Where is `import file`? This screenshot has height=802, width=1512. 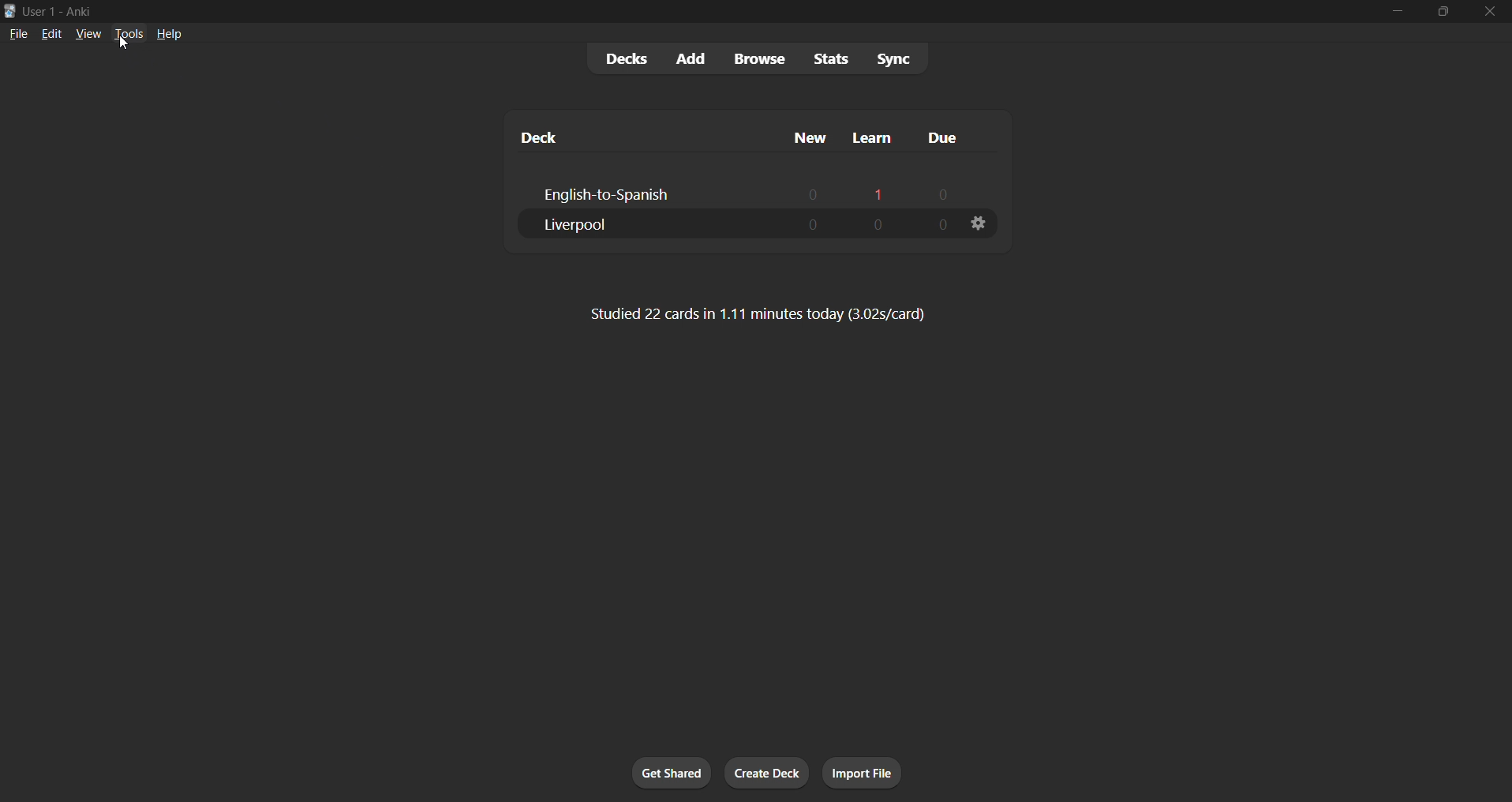
import file is located at coordinates (862, 773).